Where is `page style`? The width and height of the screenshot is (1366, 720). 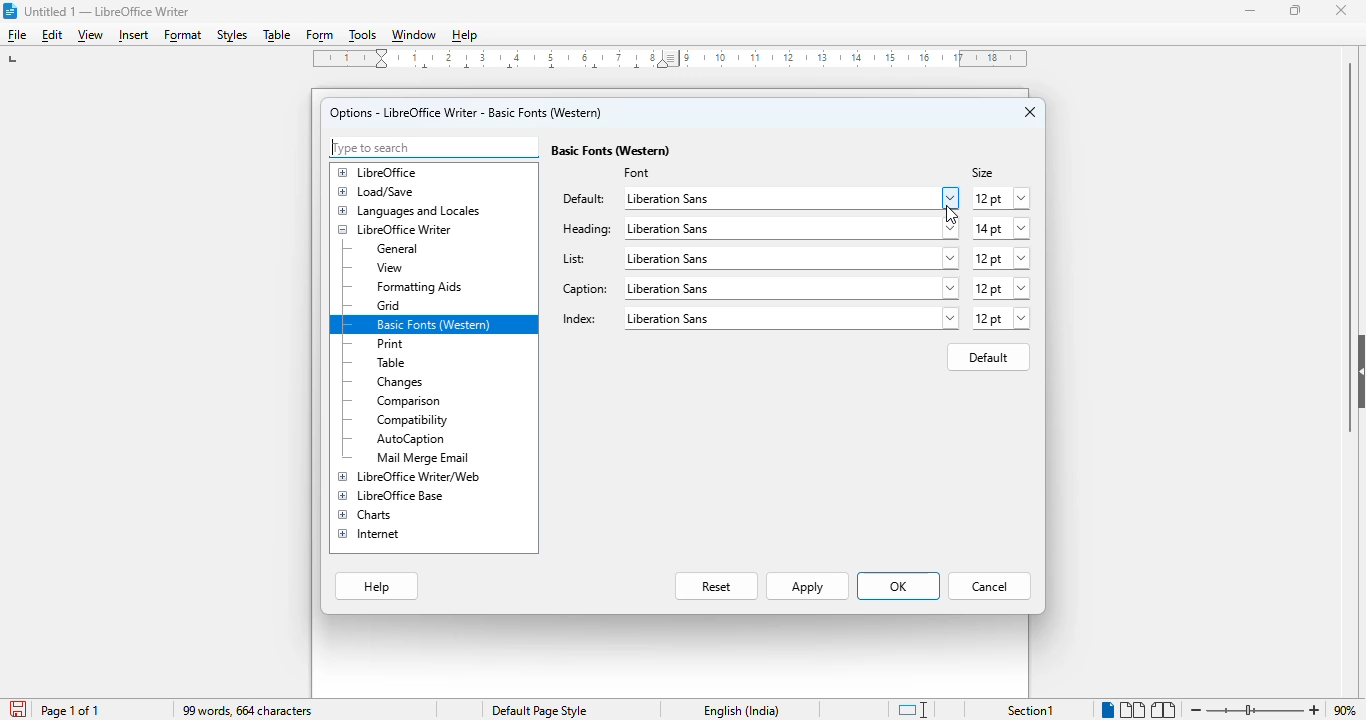 page style is located at coordinates (540, 711).